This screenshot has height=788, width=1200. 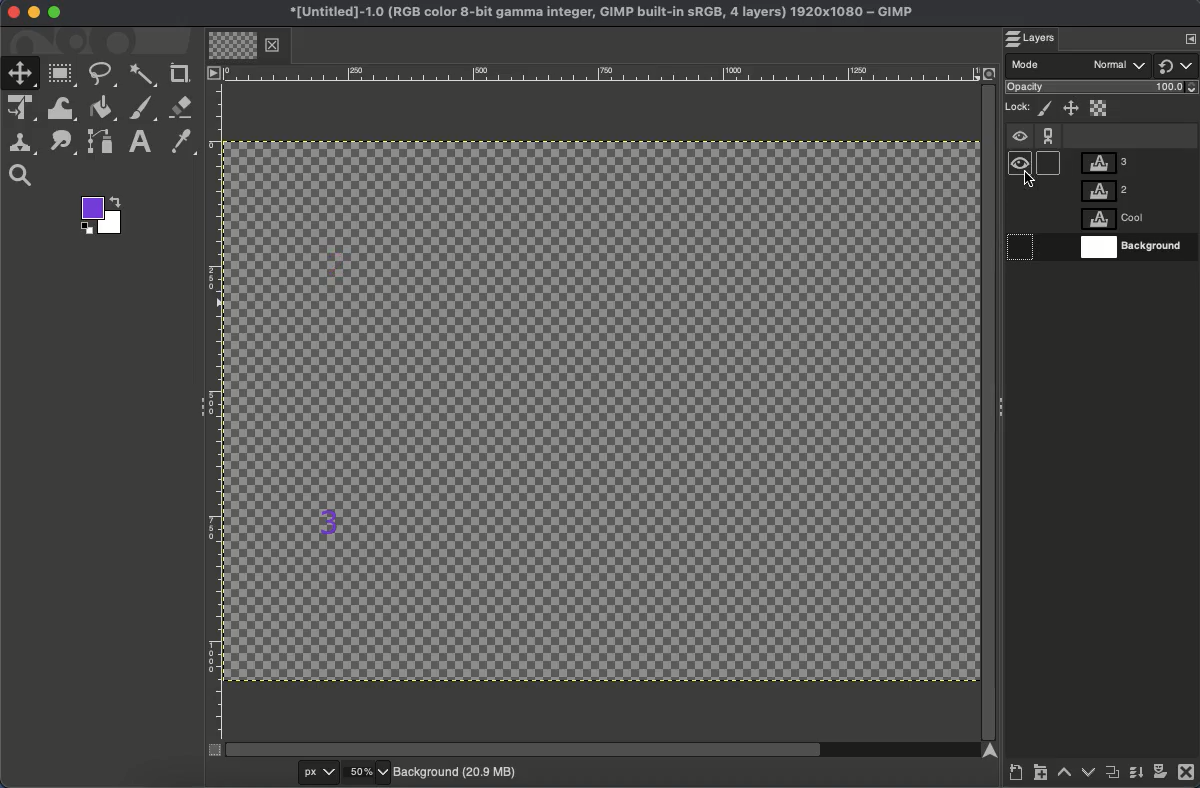 I want to click on Mode, so click(x=1080, y=66).